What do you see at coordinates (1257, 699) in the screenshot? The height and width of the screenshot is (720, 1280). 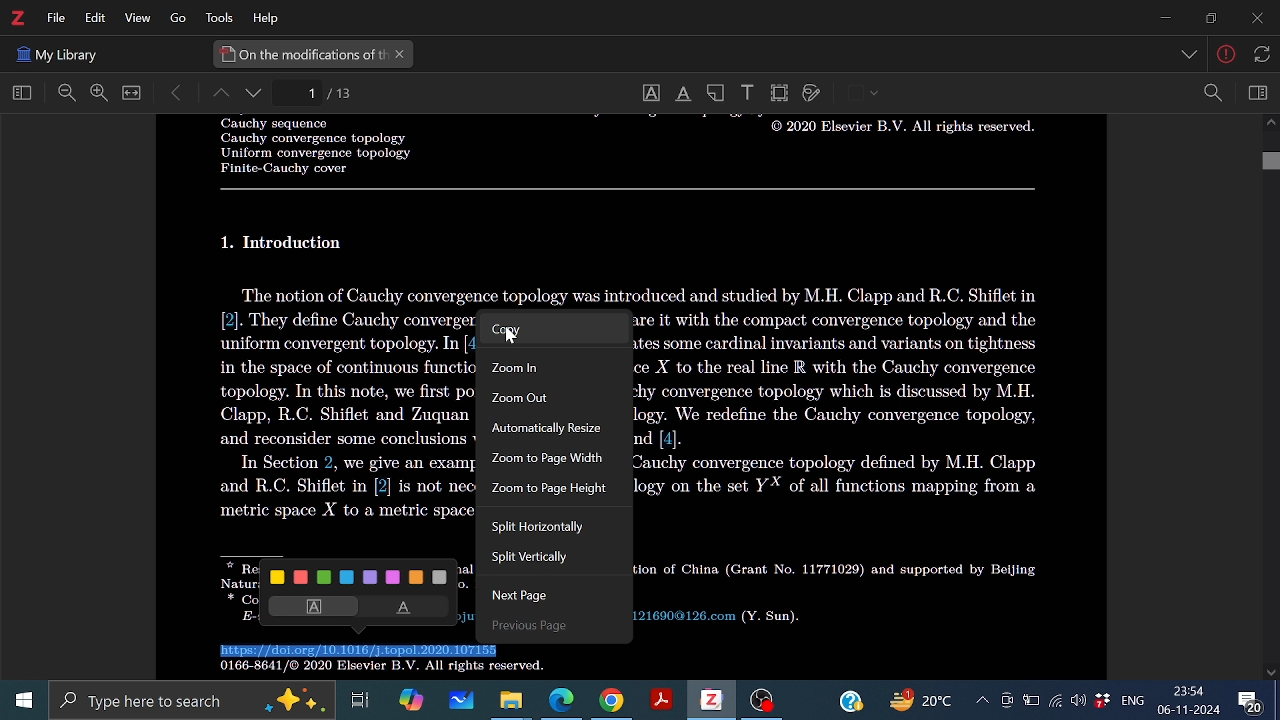 I see `Comment` at bounding box center [1257, 699].